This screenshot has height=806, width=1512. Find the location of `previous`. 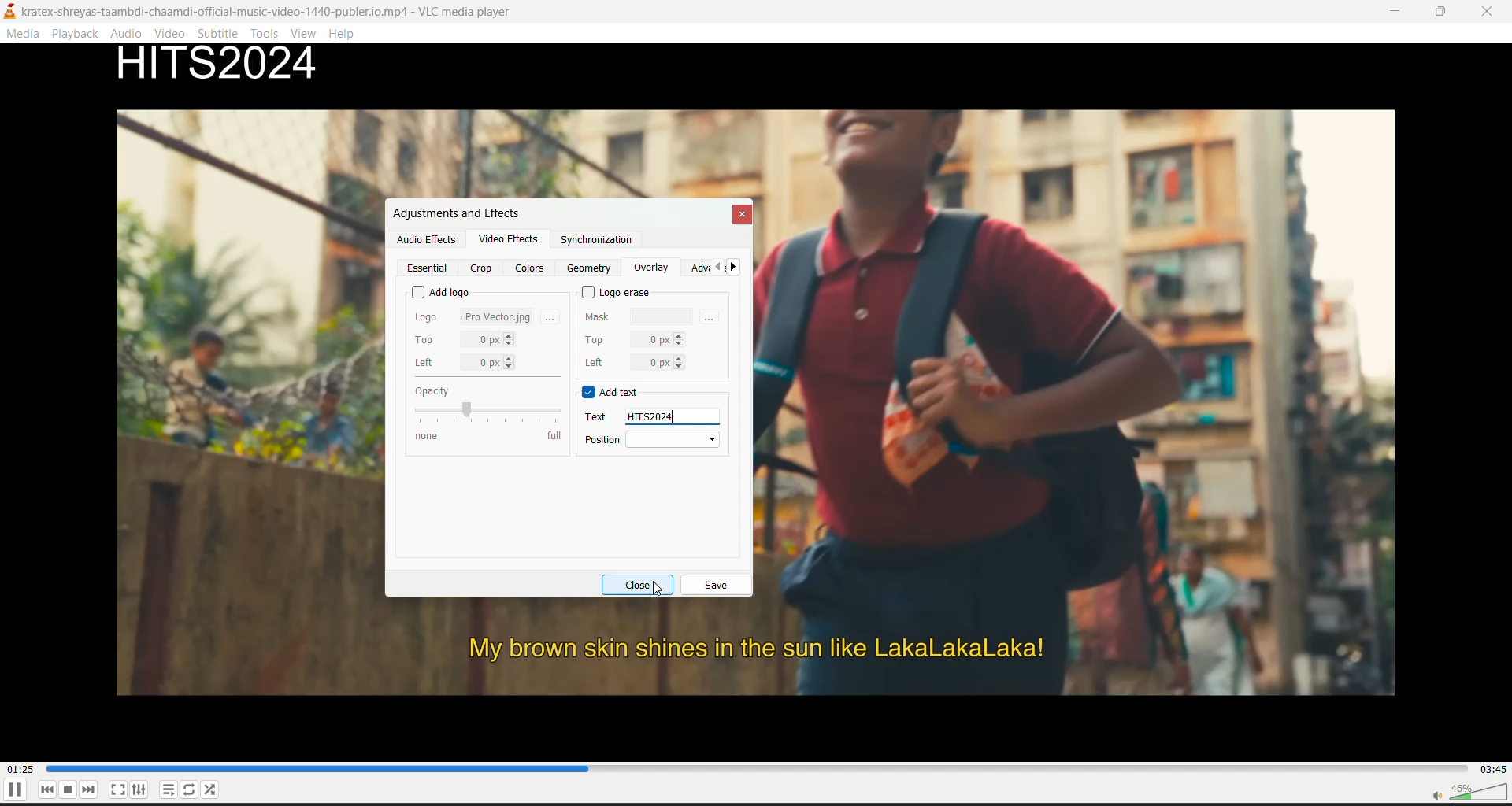

previous is located at coordinates (50, 789).